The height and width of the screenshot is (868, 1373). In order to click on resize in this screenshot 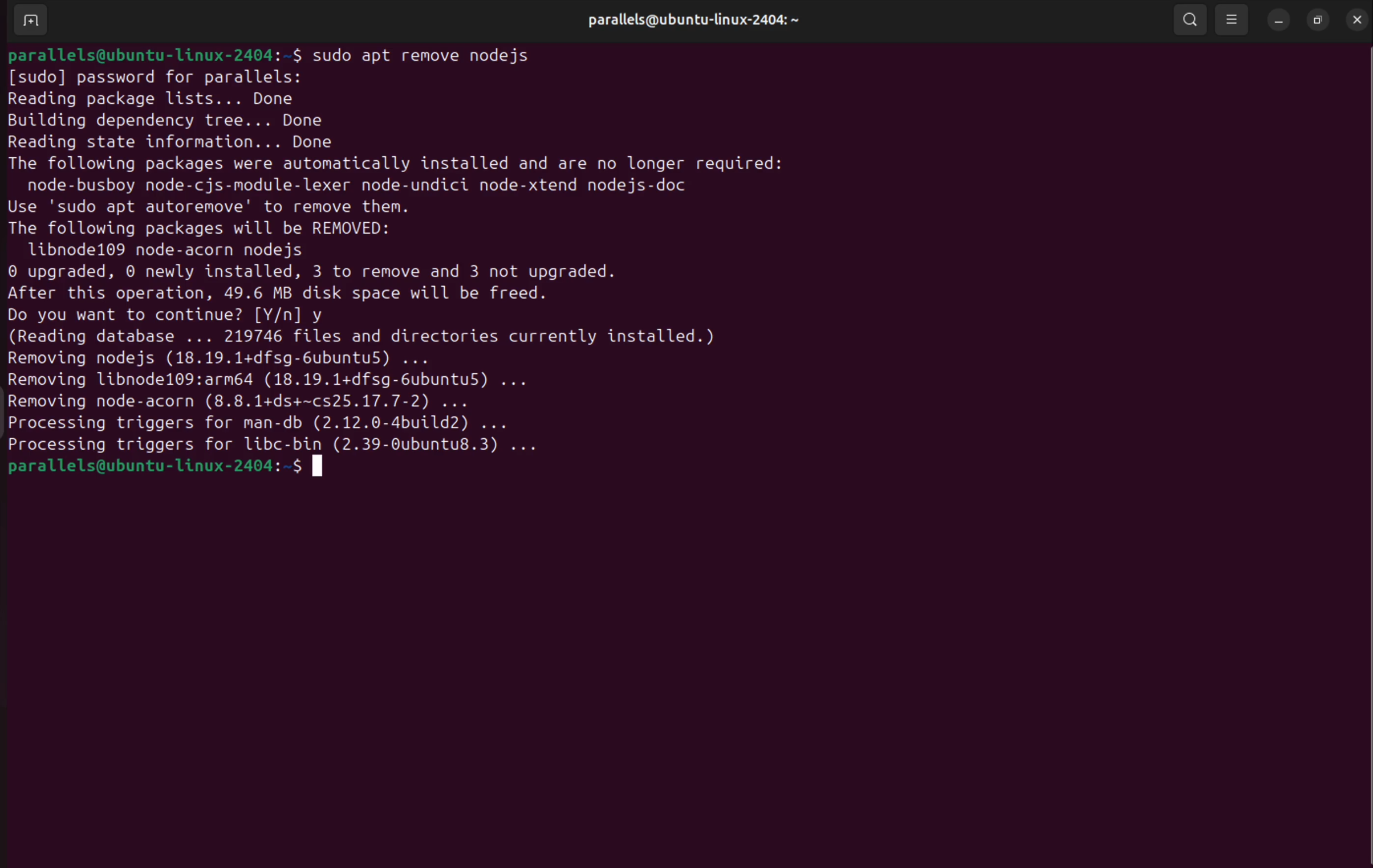, I will do `click(1319, 21)`.